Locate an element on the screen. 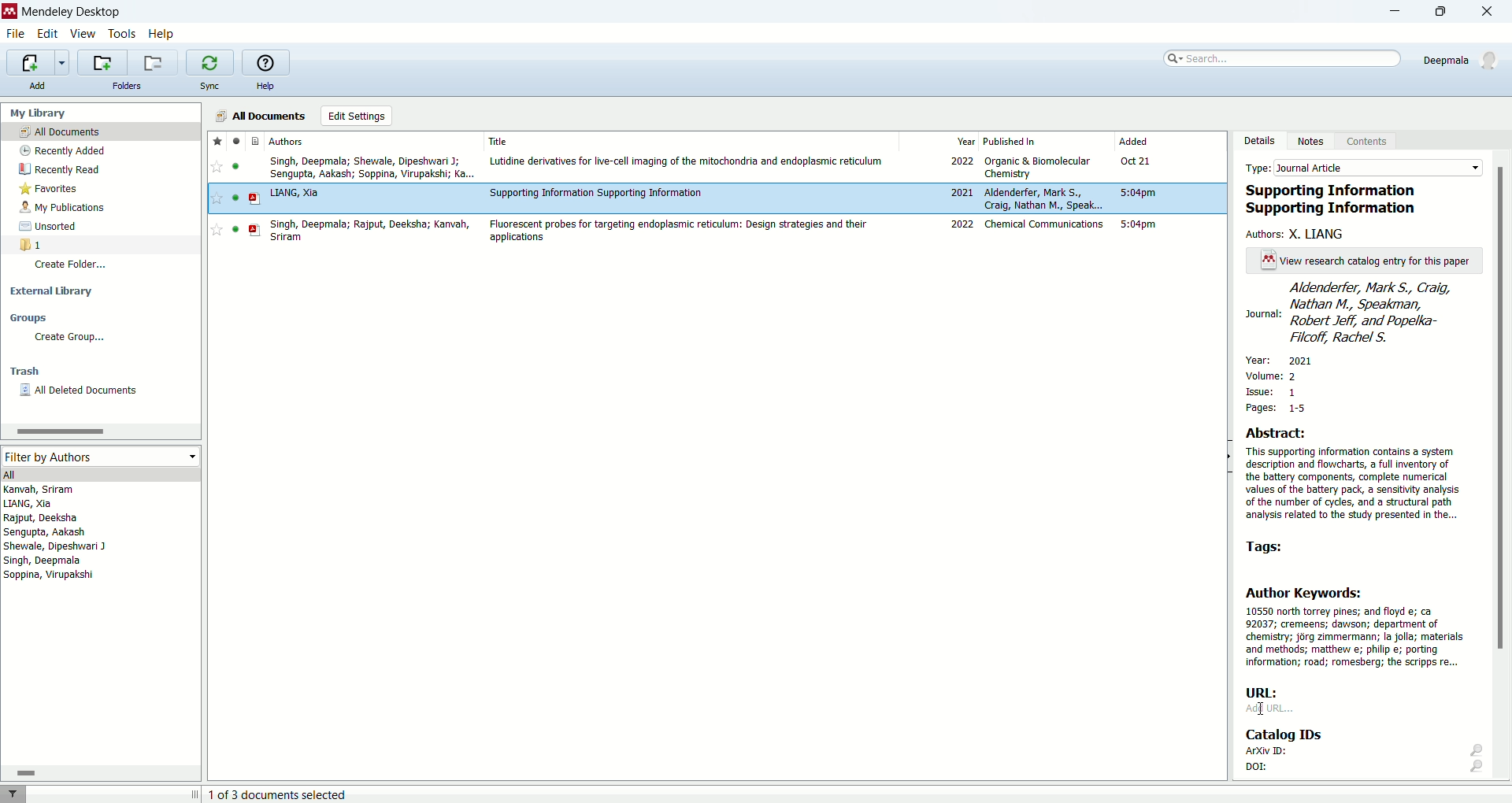 This screenshot has height=803, width=1512. tools is located at coordinates (123, 33).